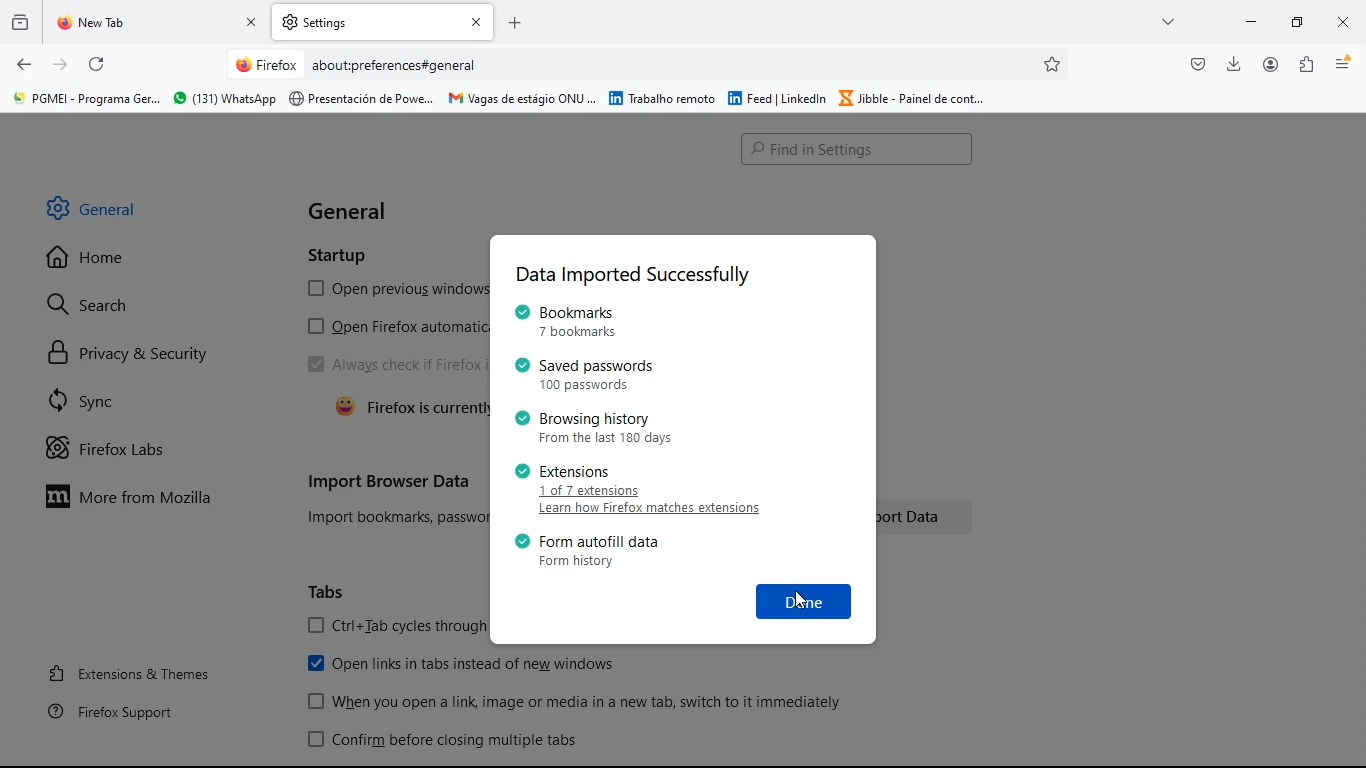 Image resolution: width=1366 pixels, height=768 pixels. I want to click on Cursor, so click(801, 599).